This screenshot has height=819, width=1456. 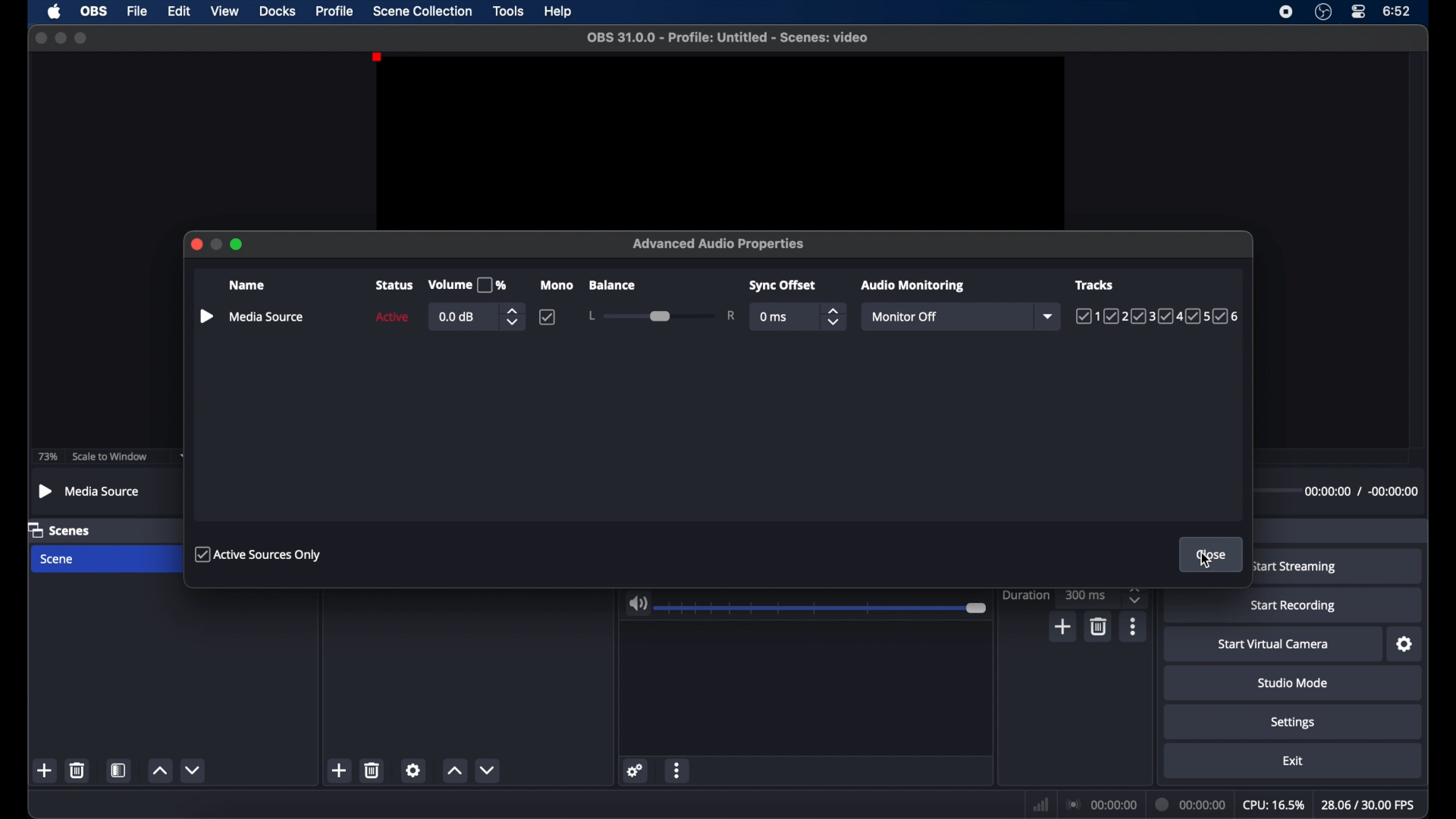 What do you see at coordinates (1274, 805) in the screenshot?
I see `cpu` at bounding box center [1274, 805].